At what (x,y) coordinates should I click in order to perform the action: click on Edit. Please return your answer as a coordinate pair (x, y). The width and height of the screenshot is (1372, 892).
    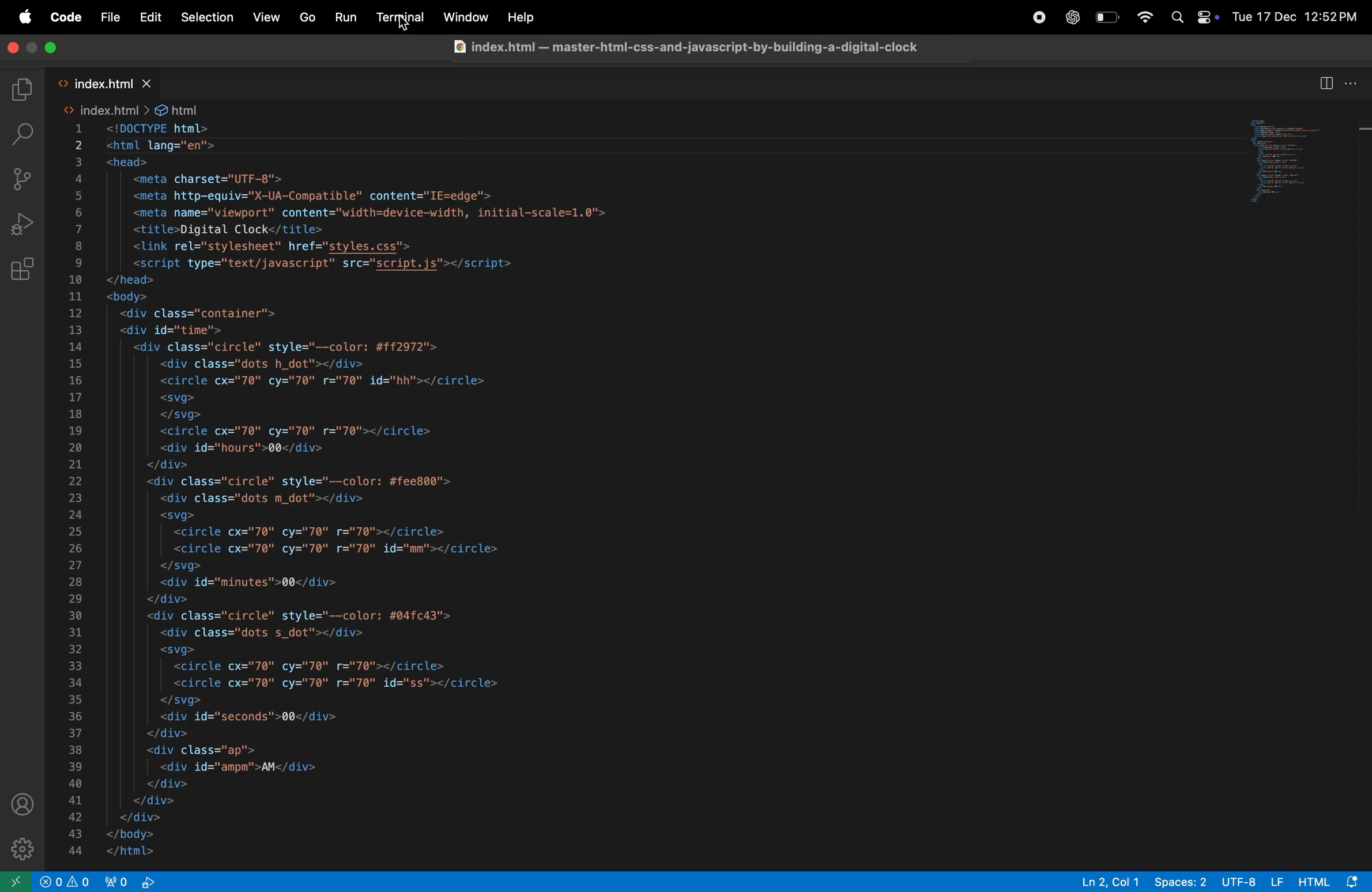
    Looking at the image, I should click on (149, 17).